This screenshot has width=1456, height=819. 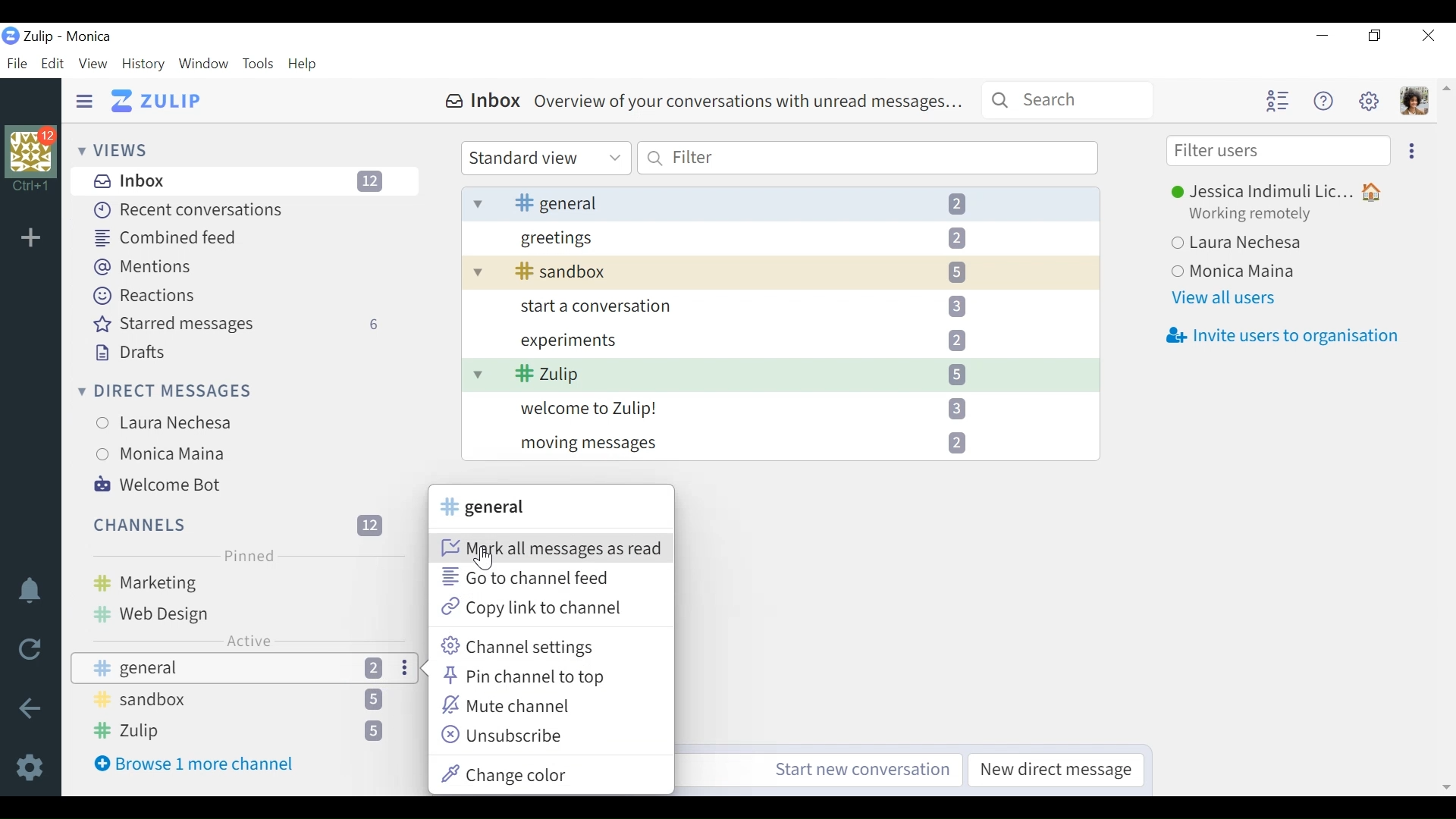 I want to click on Start new conversation, so click(x=863, y=770).